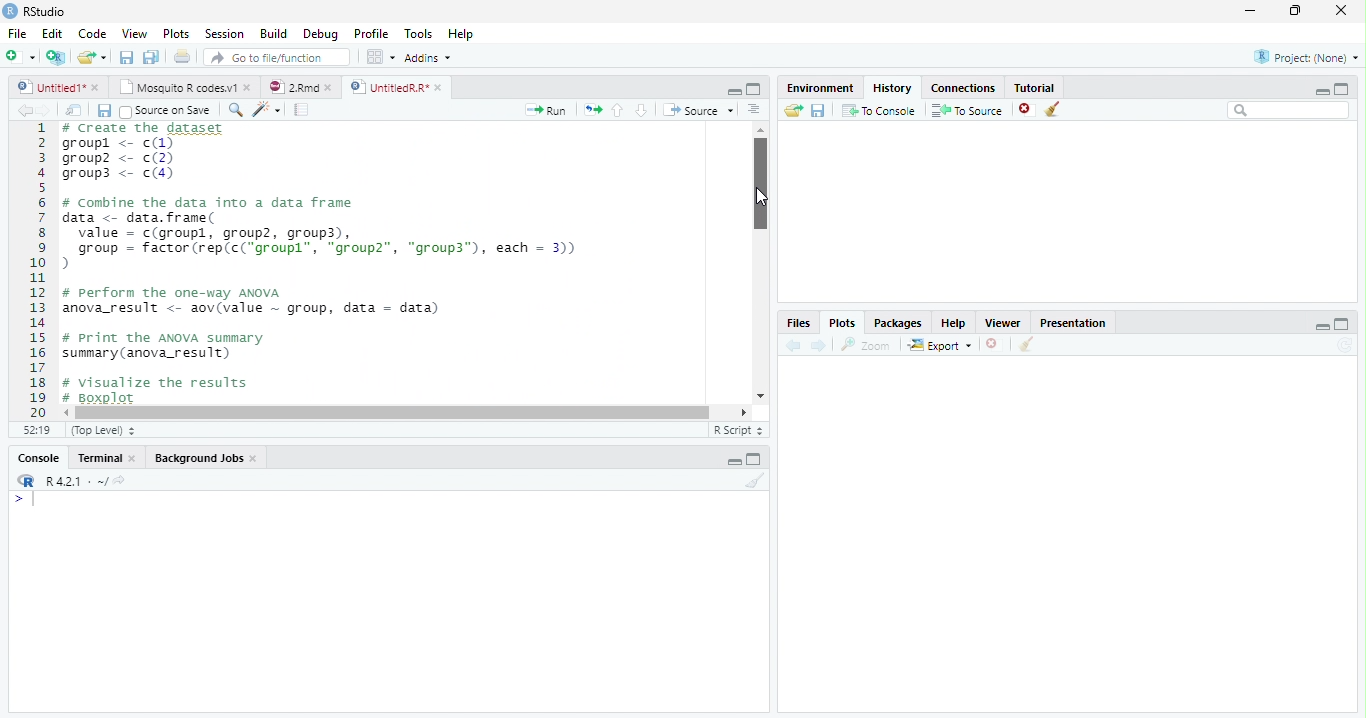 The image size is (1366, 718). What do you see at coordinates (299, 85) in the screenshot?
I see `2Rmd` at bounding box center [299, 85].